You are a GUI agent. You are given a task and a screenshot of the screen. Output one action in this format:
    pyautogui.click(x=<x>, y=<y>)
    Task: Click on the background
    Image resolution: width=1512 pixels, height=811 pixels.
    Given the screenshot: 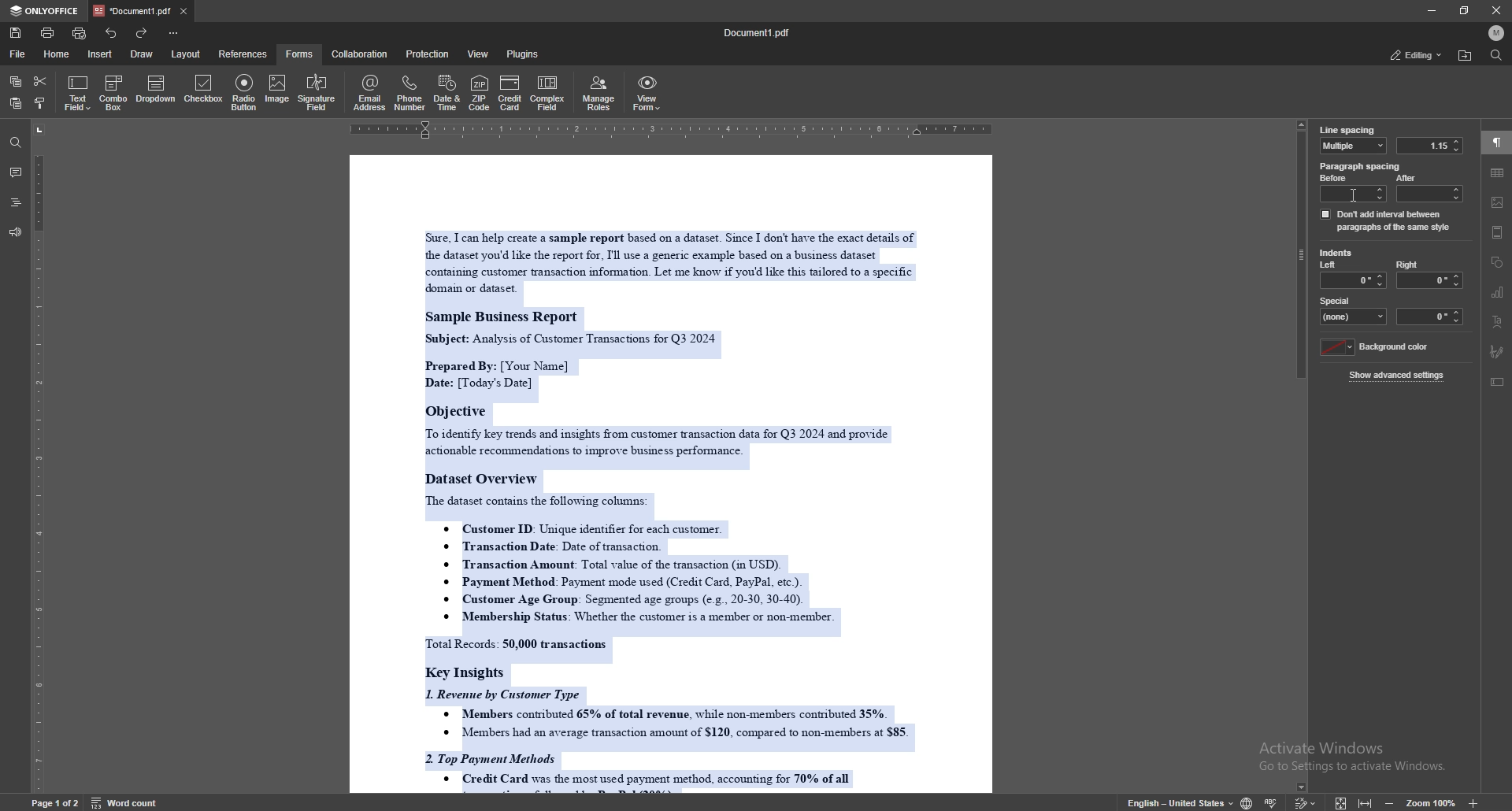 What is the action you would take?
    pyautogui.click(x=1377, y=347)
    